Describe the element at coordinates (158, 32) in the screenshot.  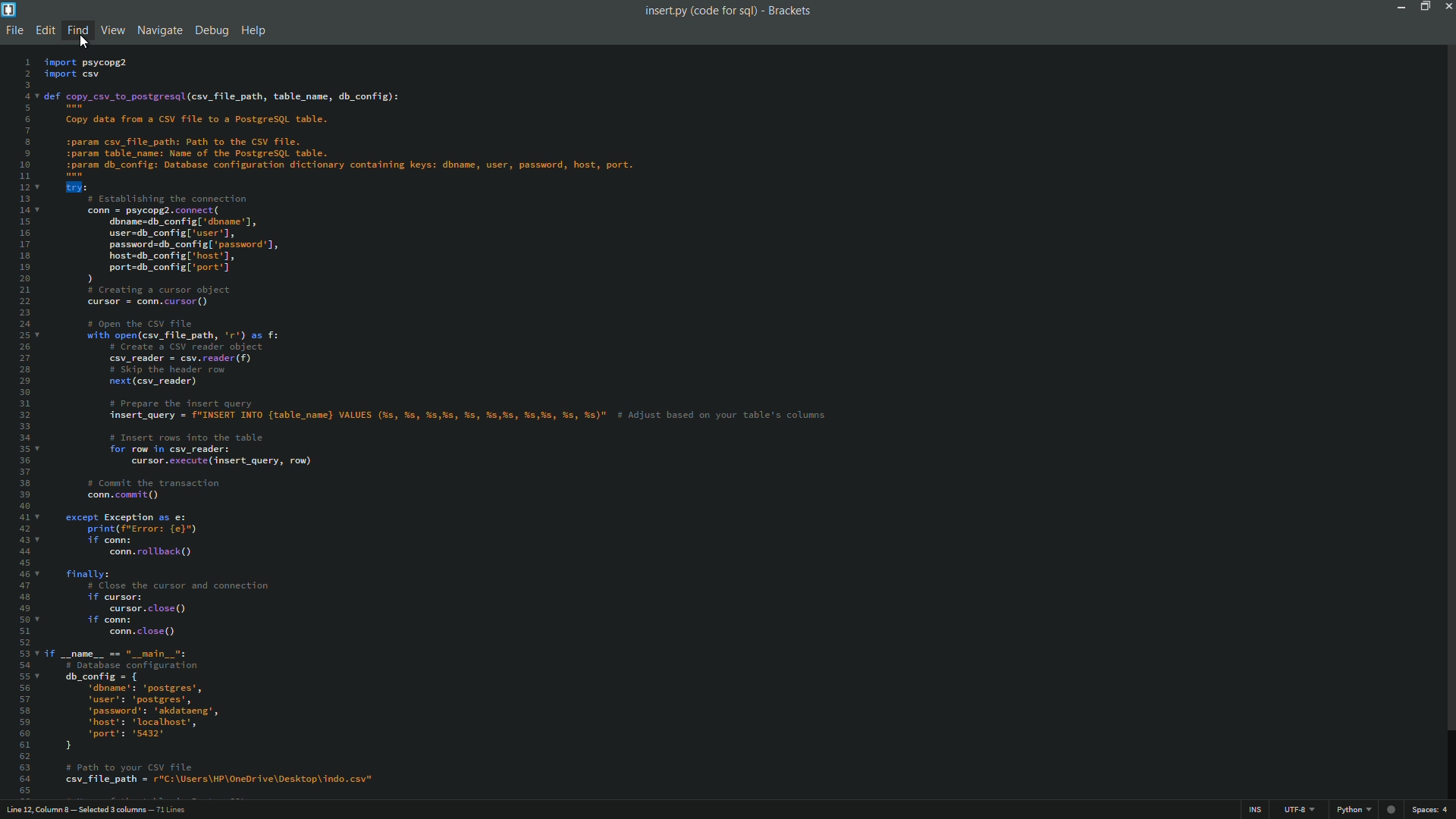
I see `navigate menu` at that location.